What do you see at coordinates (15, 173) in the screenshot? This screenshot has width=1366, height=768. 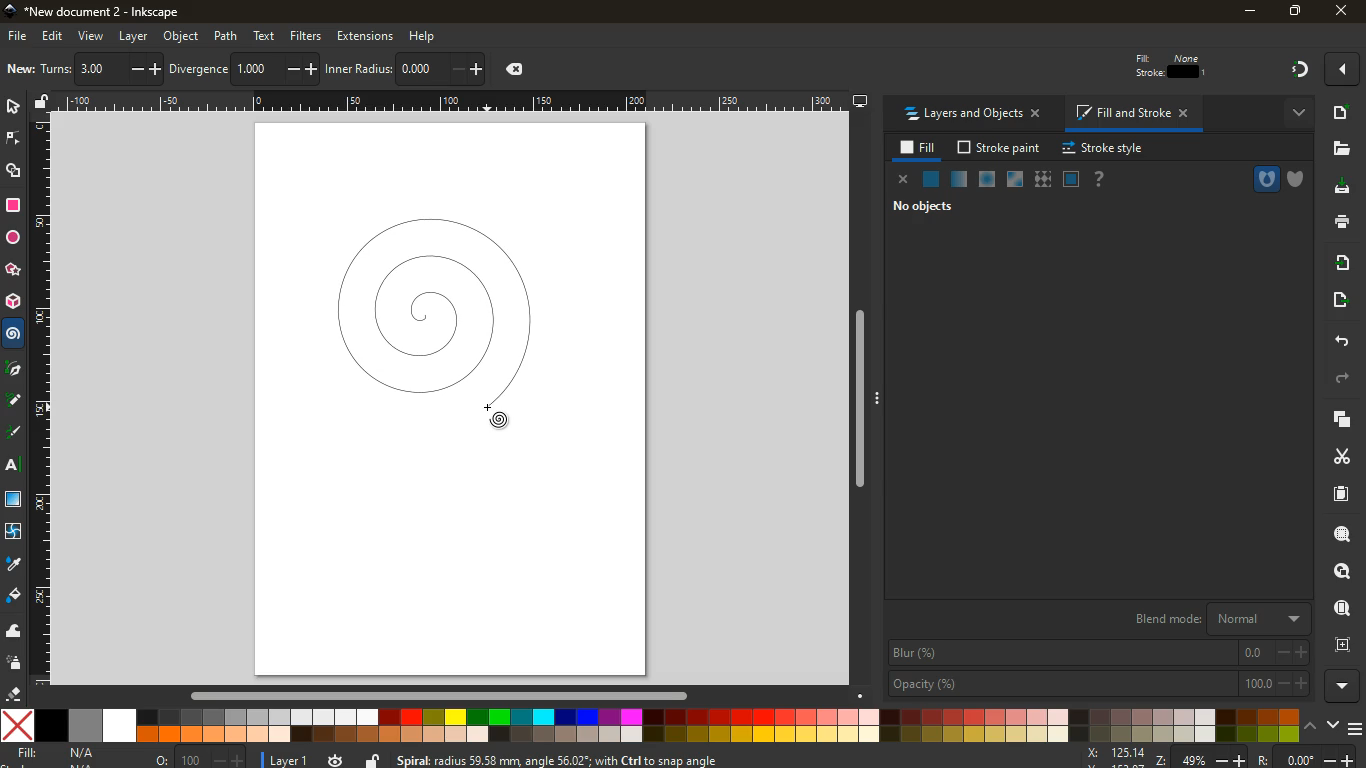 I see `shape` at bounding box center [15, 173].